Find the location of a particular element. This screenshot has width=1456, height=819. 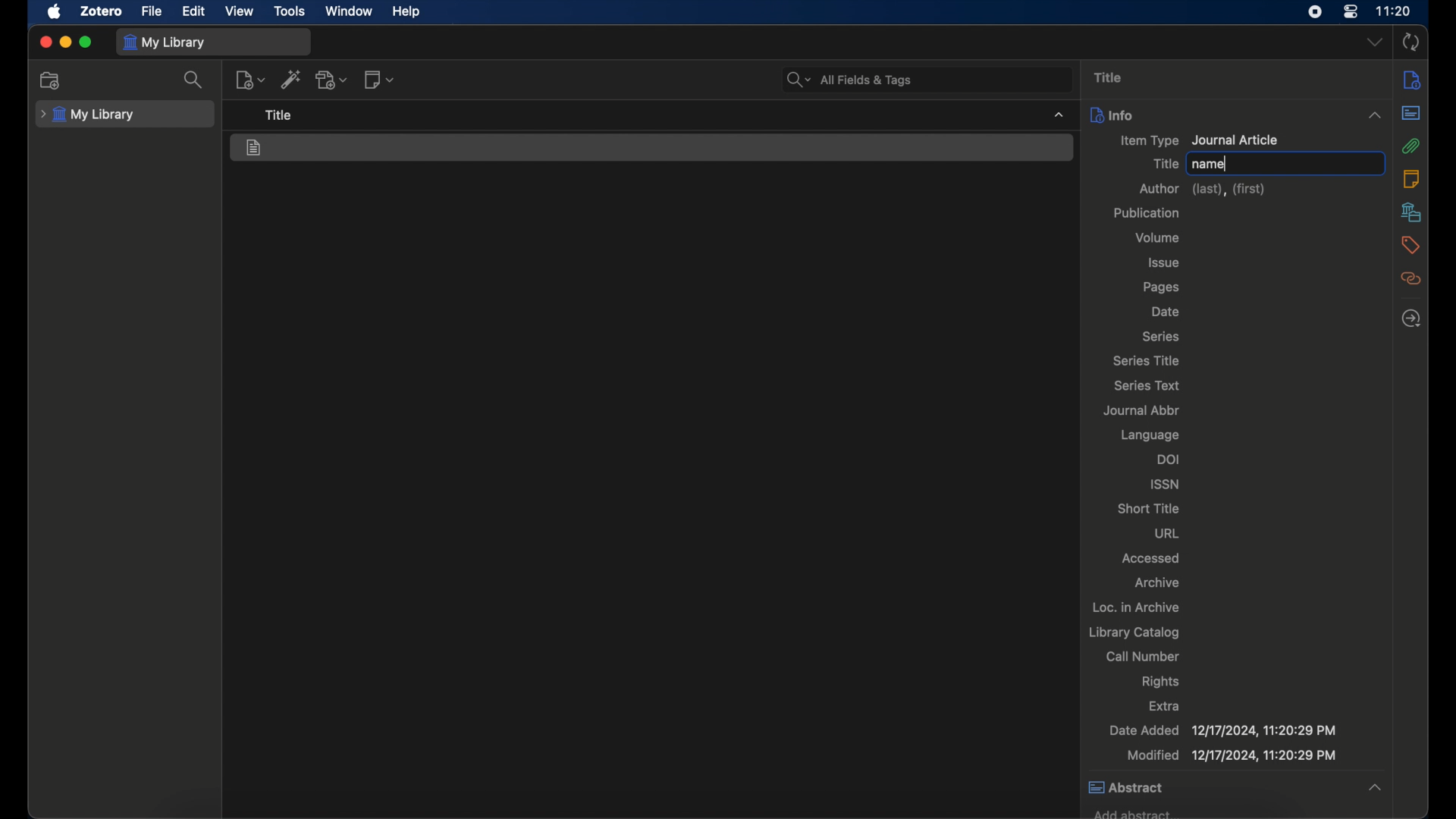

library catalog is located at coordinates (1134, 632).